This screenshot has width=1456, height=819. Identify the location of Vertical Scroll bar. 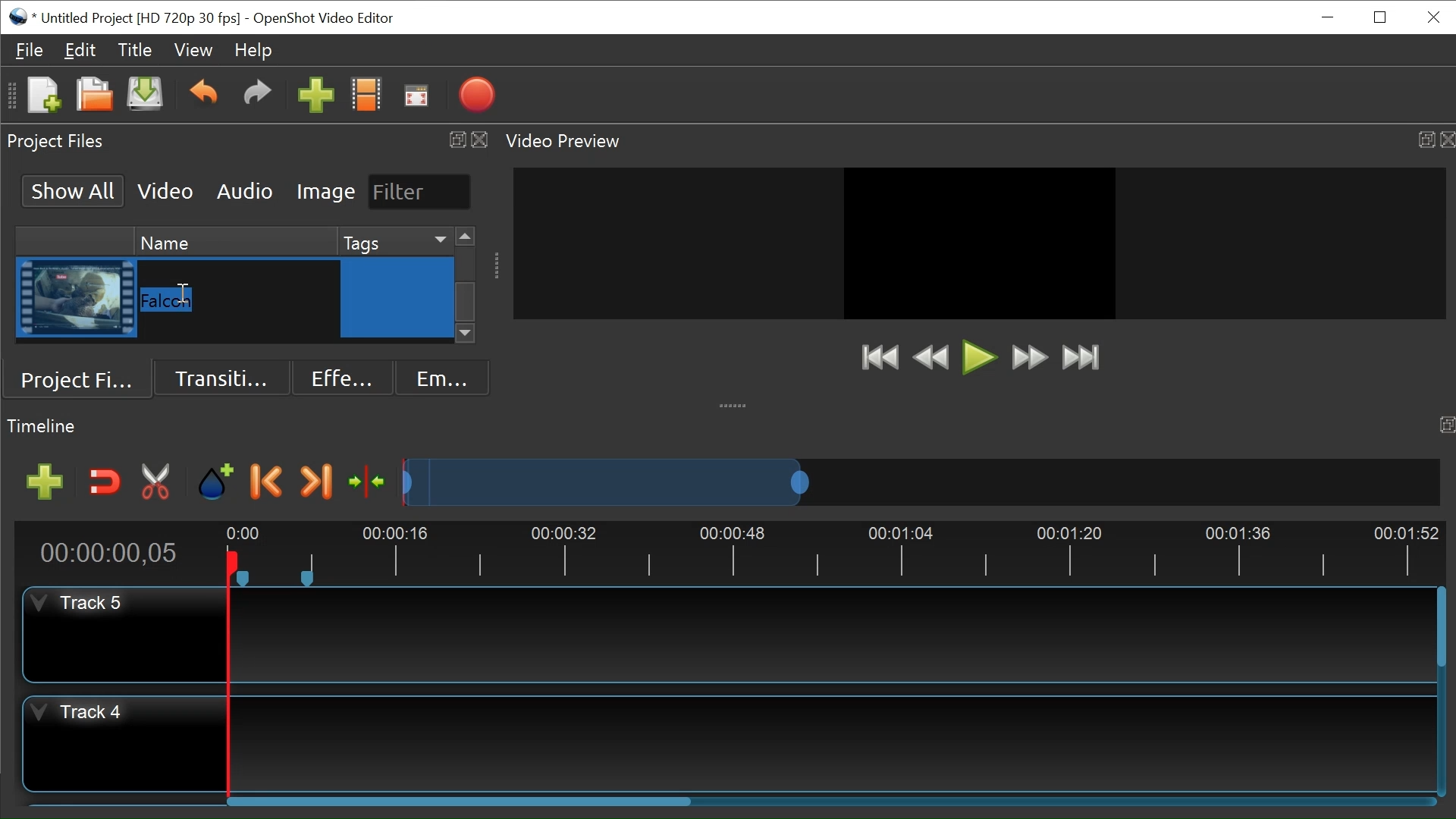
(466, 301).